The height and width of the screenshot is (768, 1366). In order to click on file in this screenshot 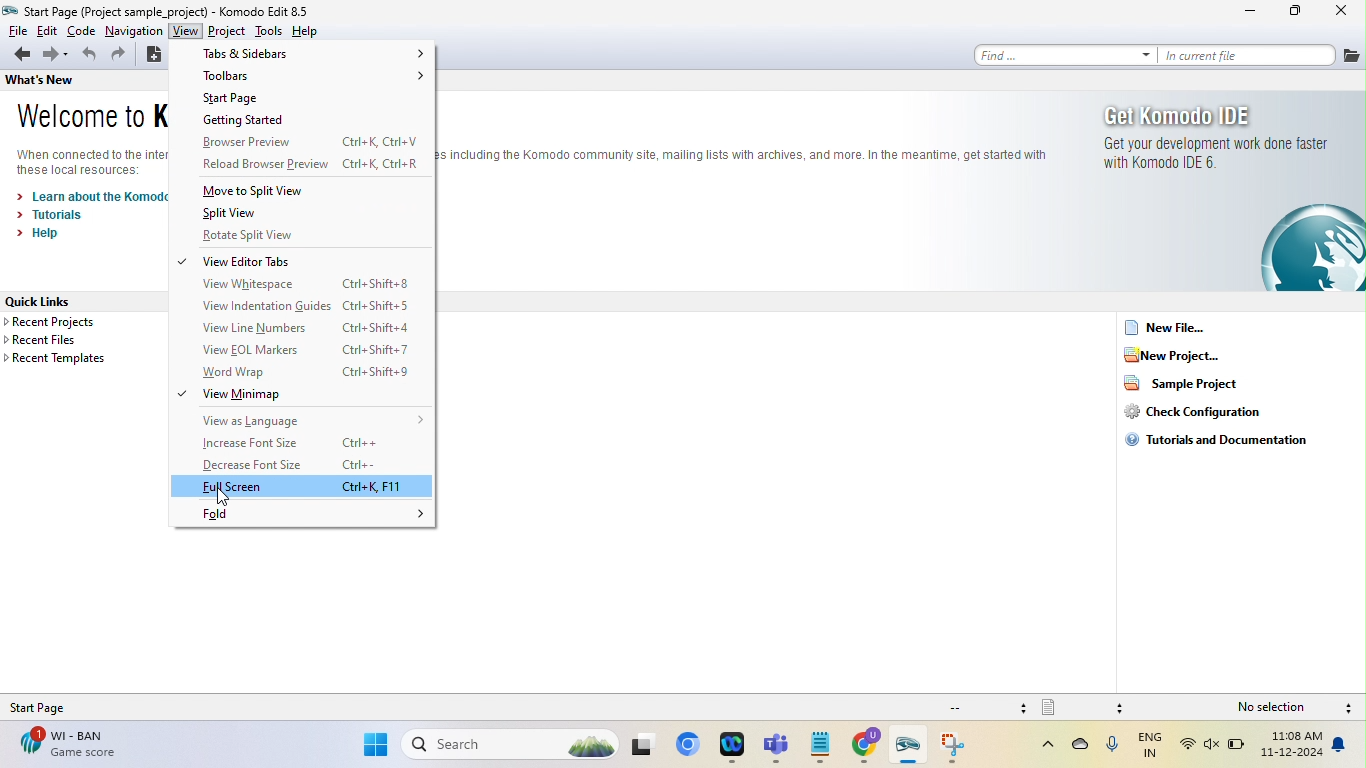, I will do `click(1352, 55)`.